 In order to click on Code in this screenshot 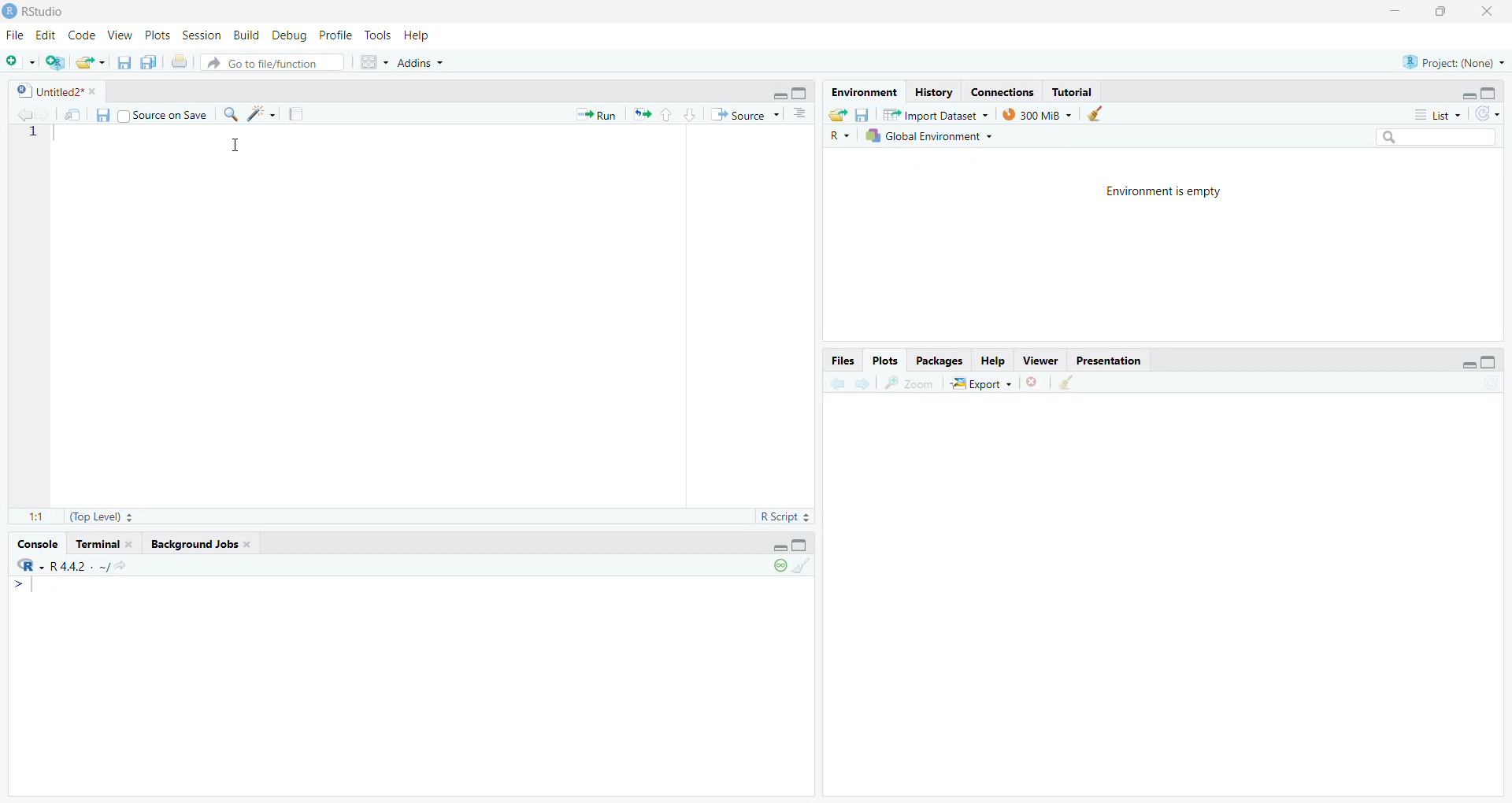, I will do `click(81, 35)`.